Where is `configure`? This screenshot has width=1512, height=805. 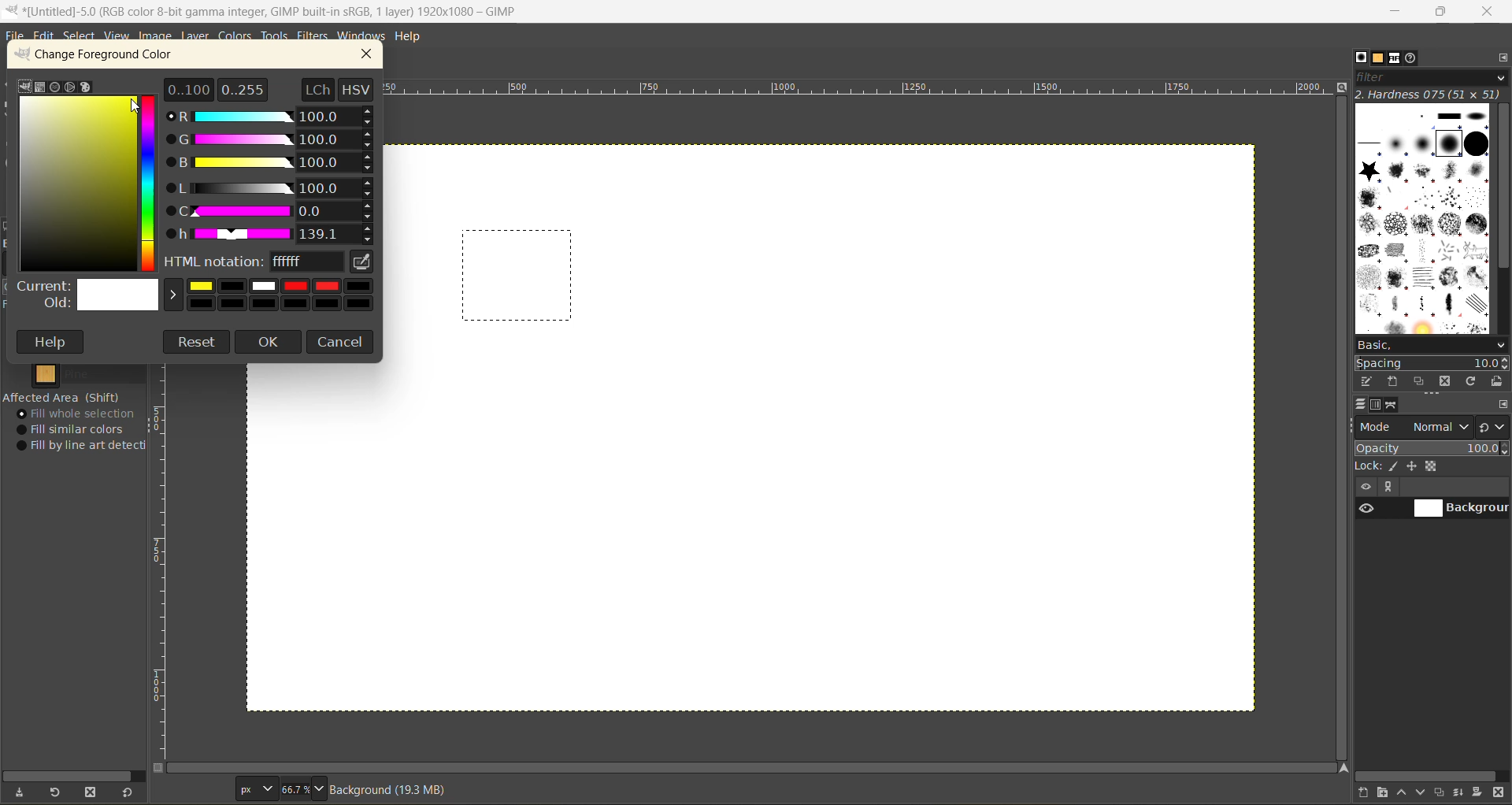
configure is located at coordinates (1501, 61).